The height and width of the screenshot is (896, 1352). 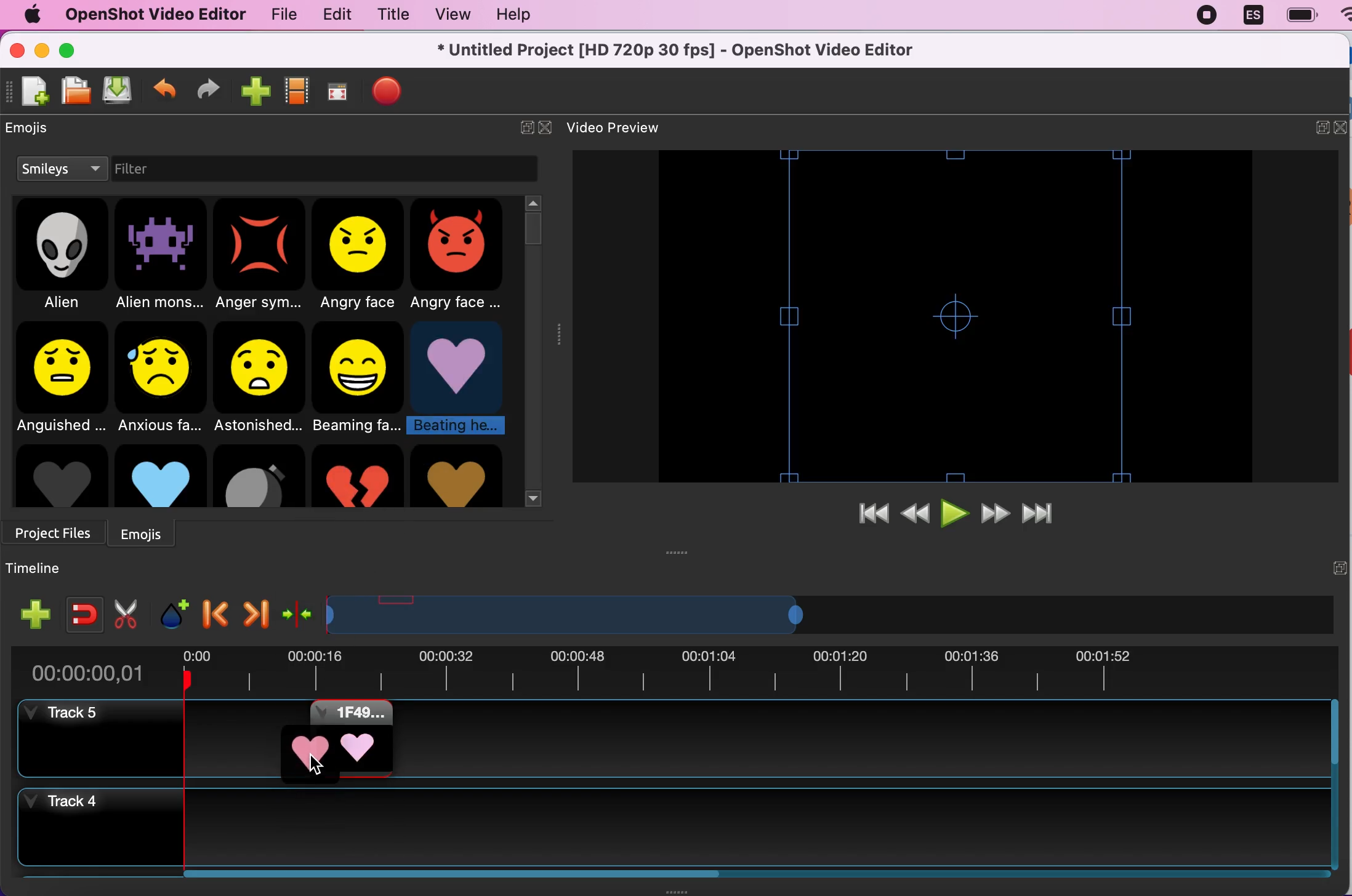 What do you see at coordinates (72, 92) in the screenshot?
I see `open file` at bounding box center [72, 92].